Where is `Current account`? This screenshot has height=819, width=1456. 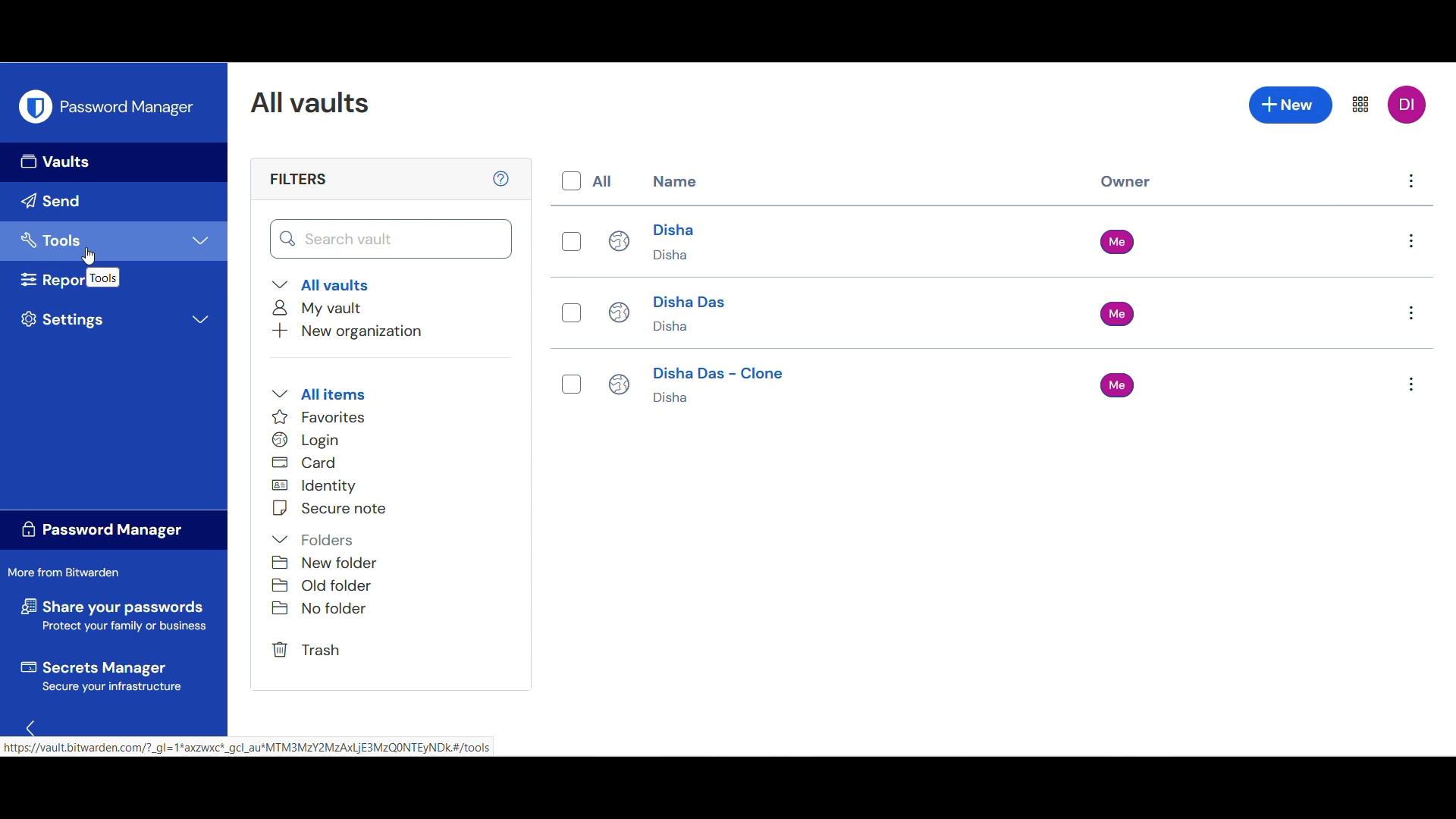
Current account is located at coordinates (1408, 105).